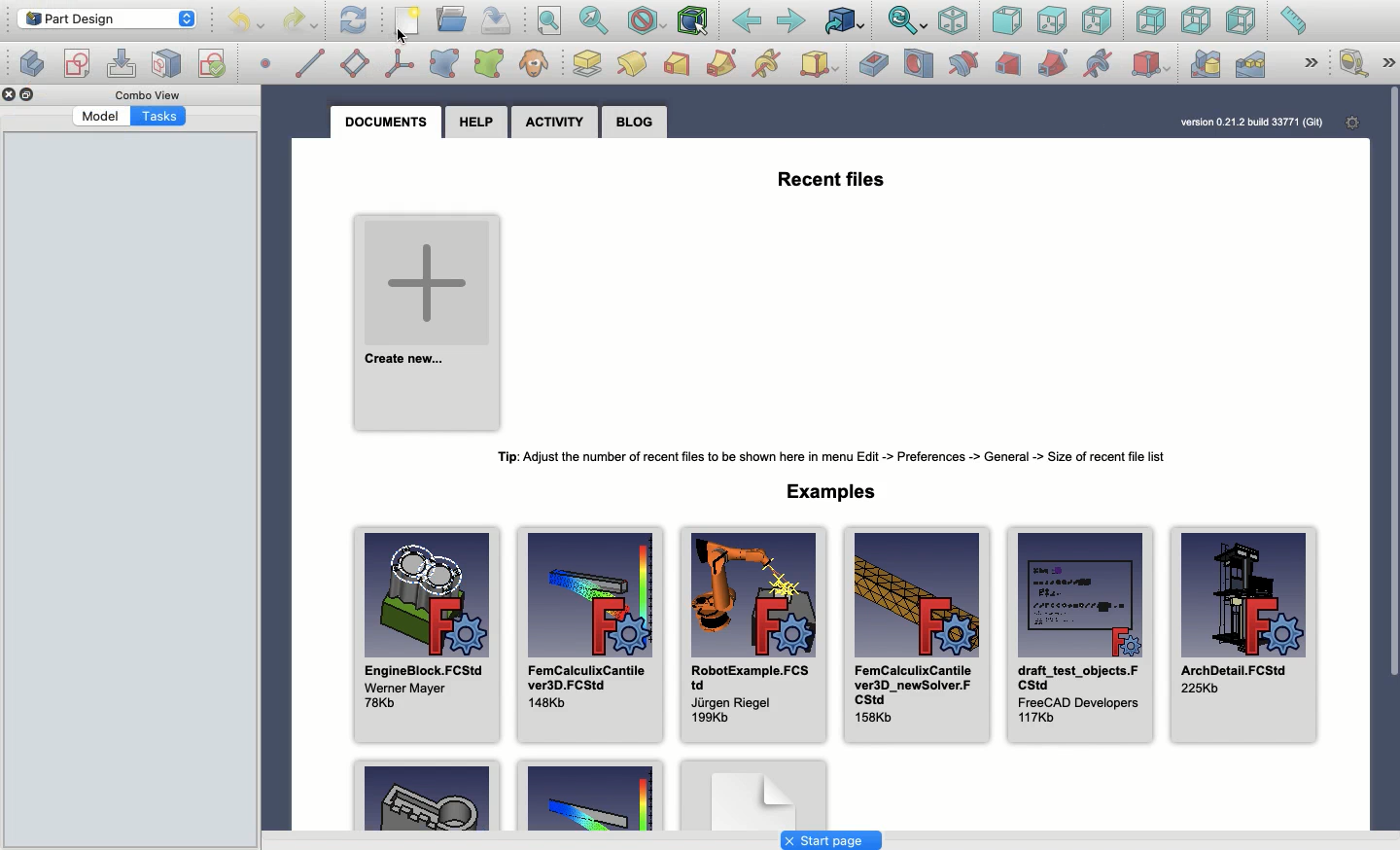 The width and height of the screenshot is (1400, 850). I want to click on Create sketch , so click(31, 62).